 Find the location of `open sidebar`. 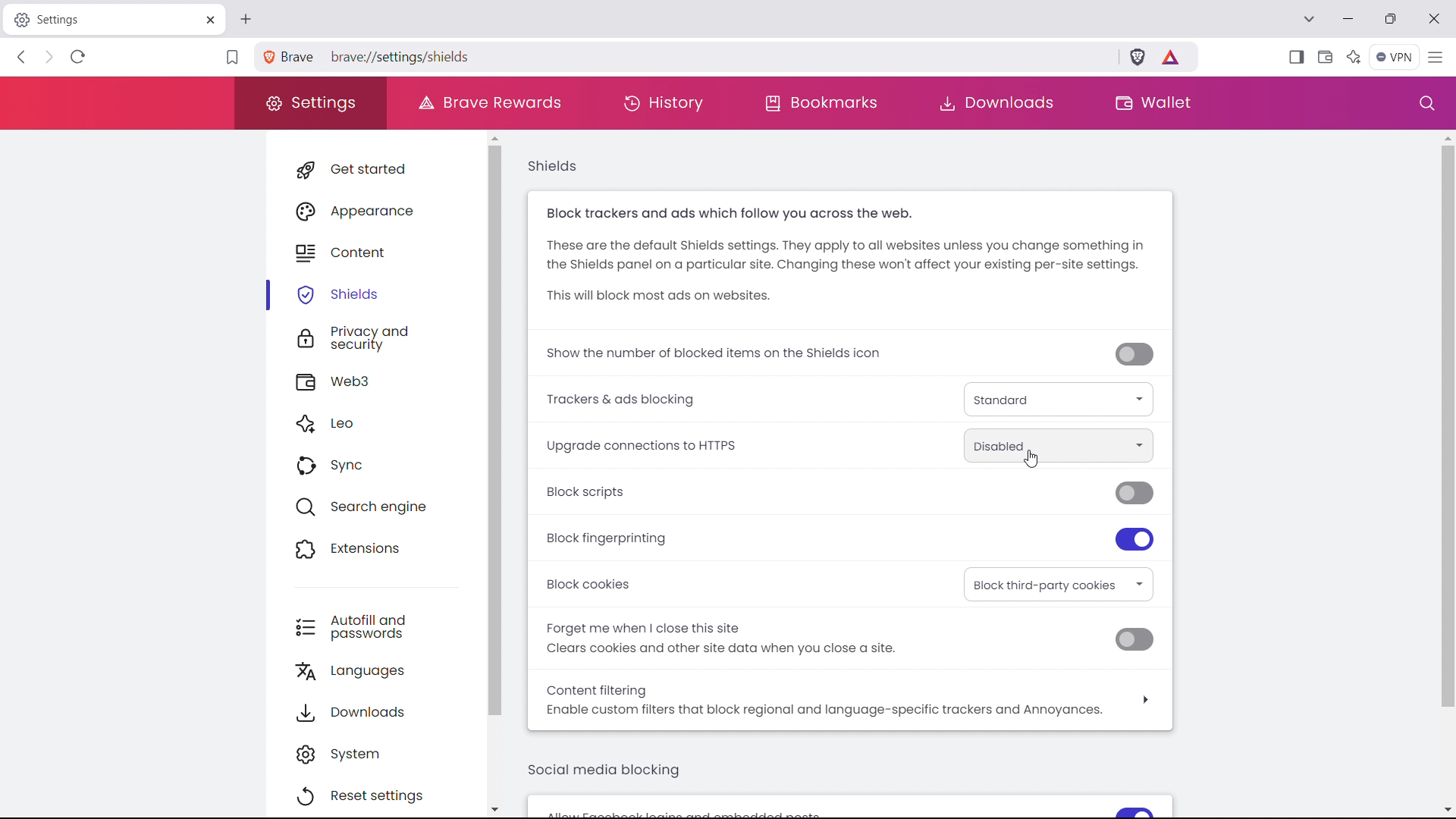

open sidebar is located at coordinates (1296, 57).